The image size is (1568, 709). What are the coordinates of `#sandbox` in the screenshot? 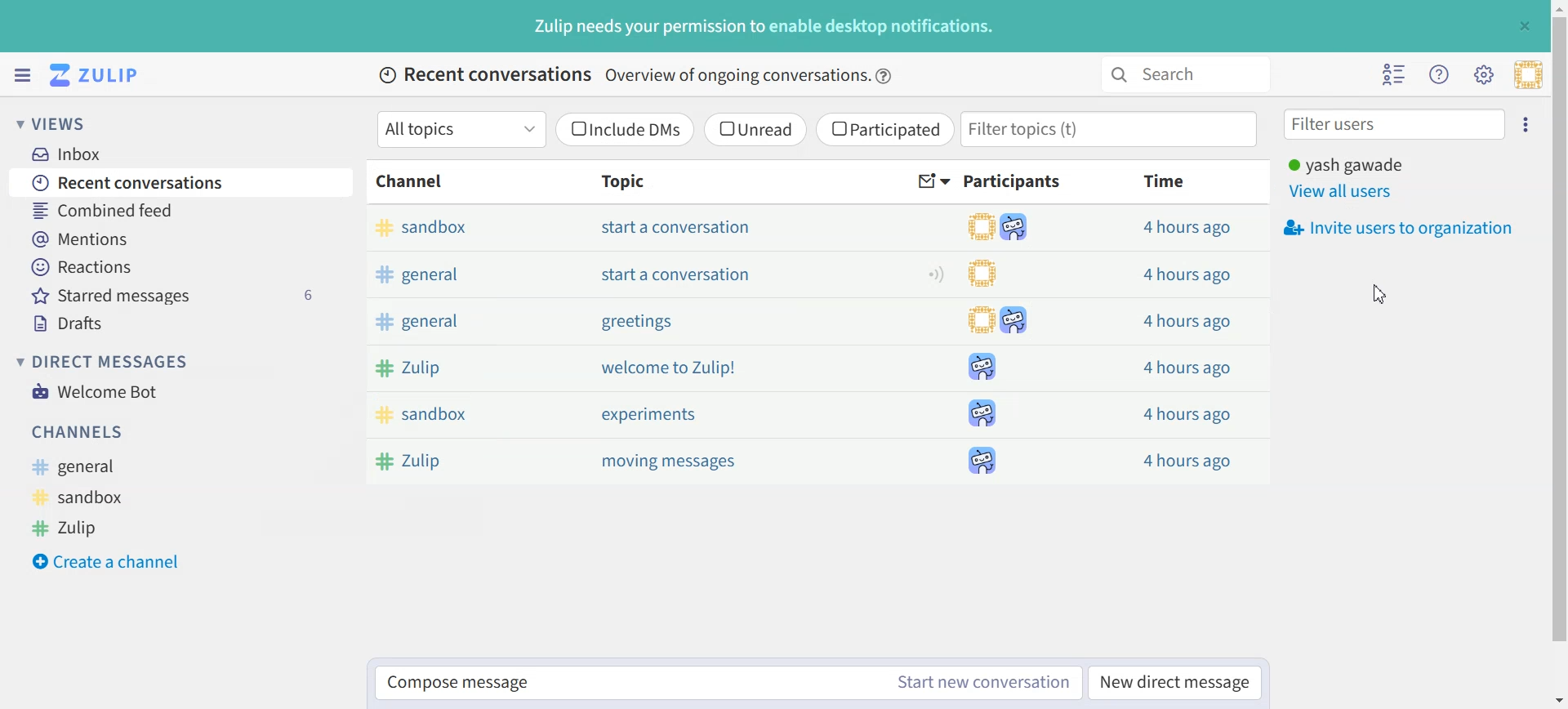 It's located at (84, 497).